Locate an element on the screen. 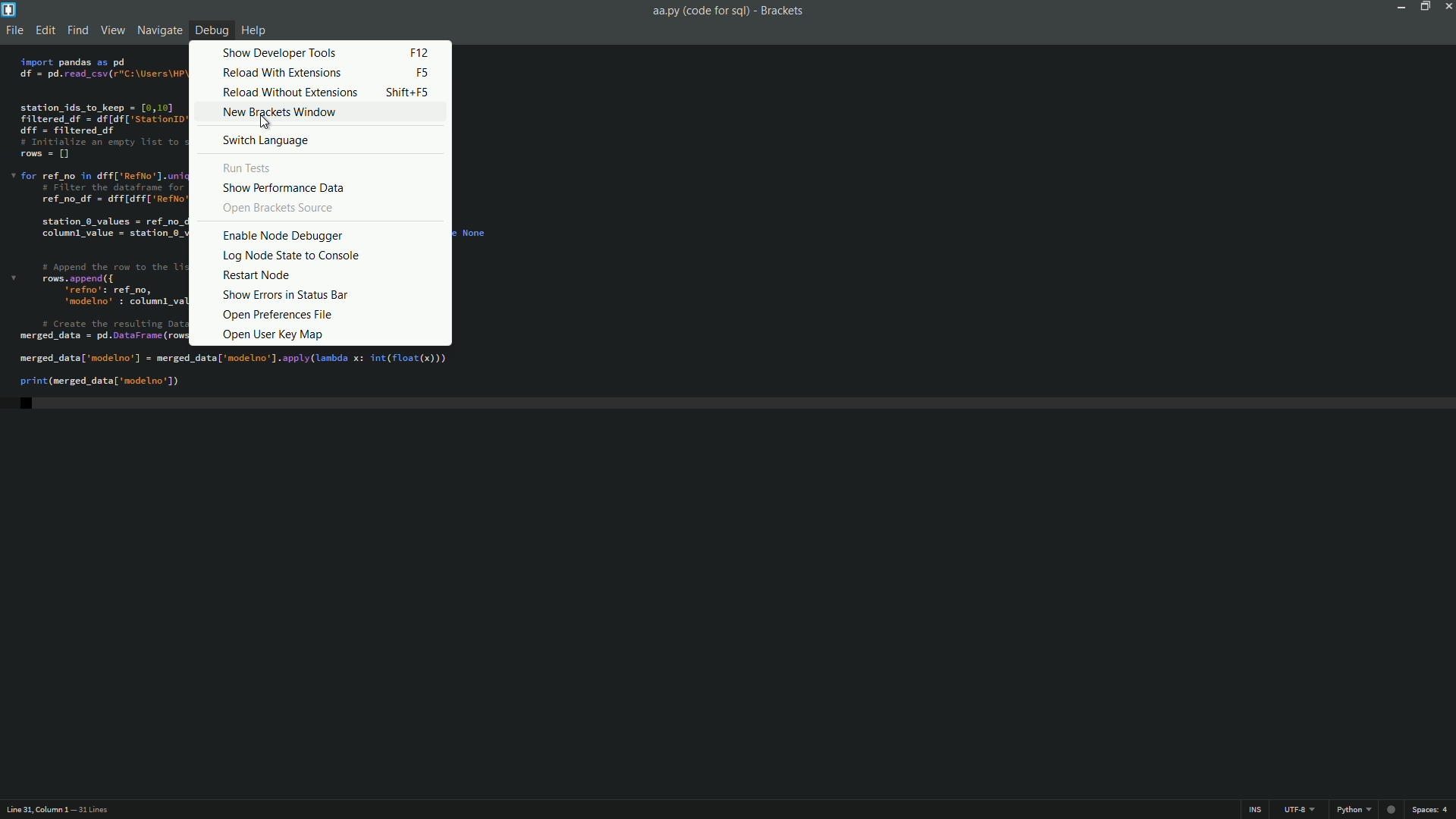 The image size is (1456, 819). file encoding is located at coordinates (1302, 810).